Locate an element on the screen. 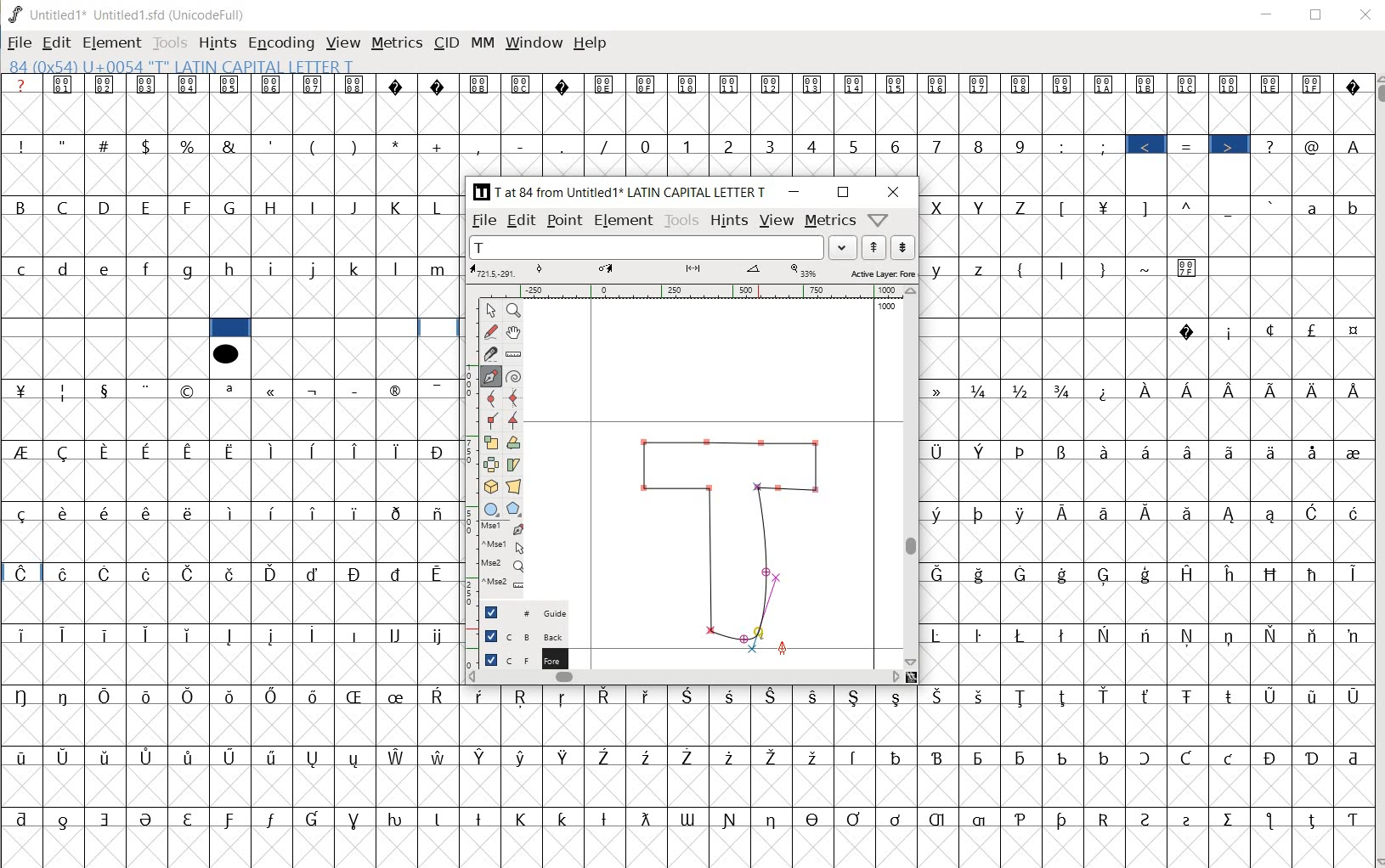 This screenshot has width=1385, height=868. Symbol is located at coordinates (1350, 758).